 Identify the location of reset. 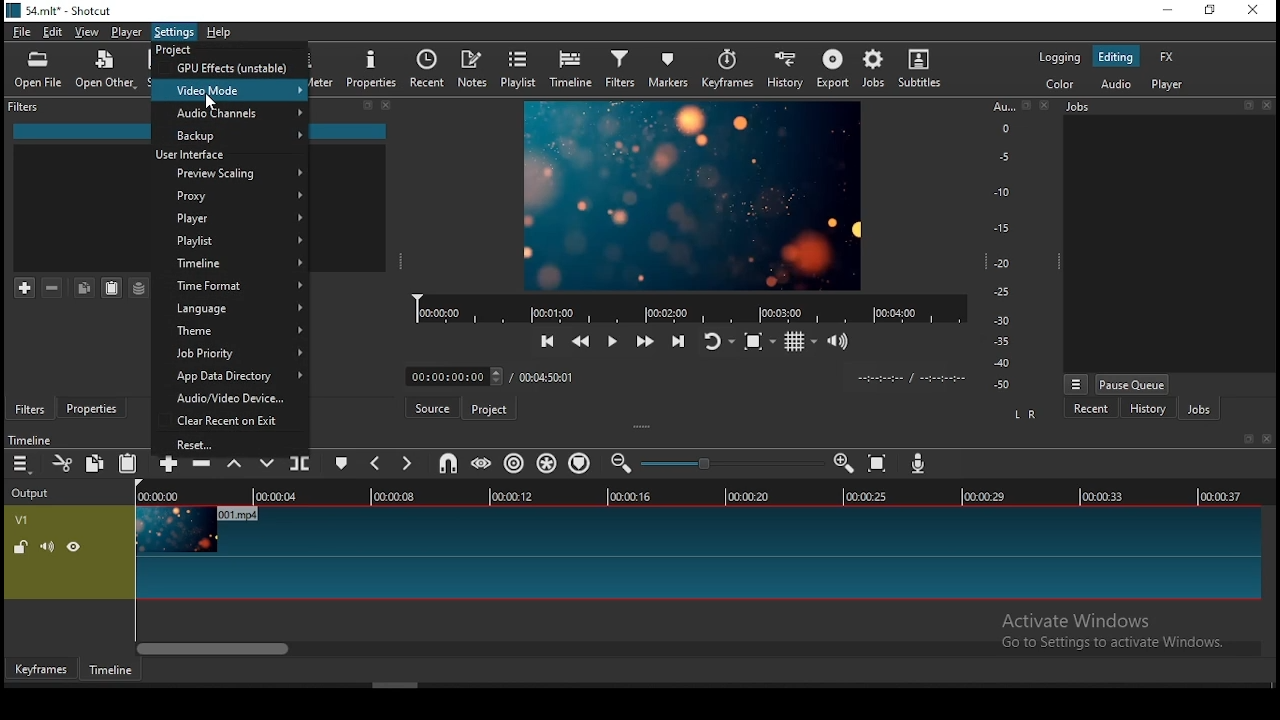
(232, 445).